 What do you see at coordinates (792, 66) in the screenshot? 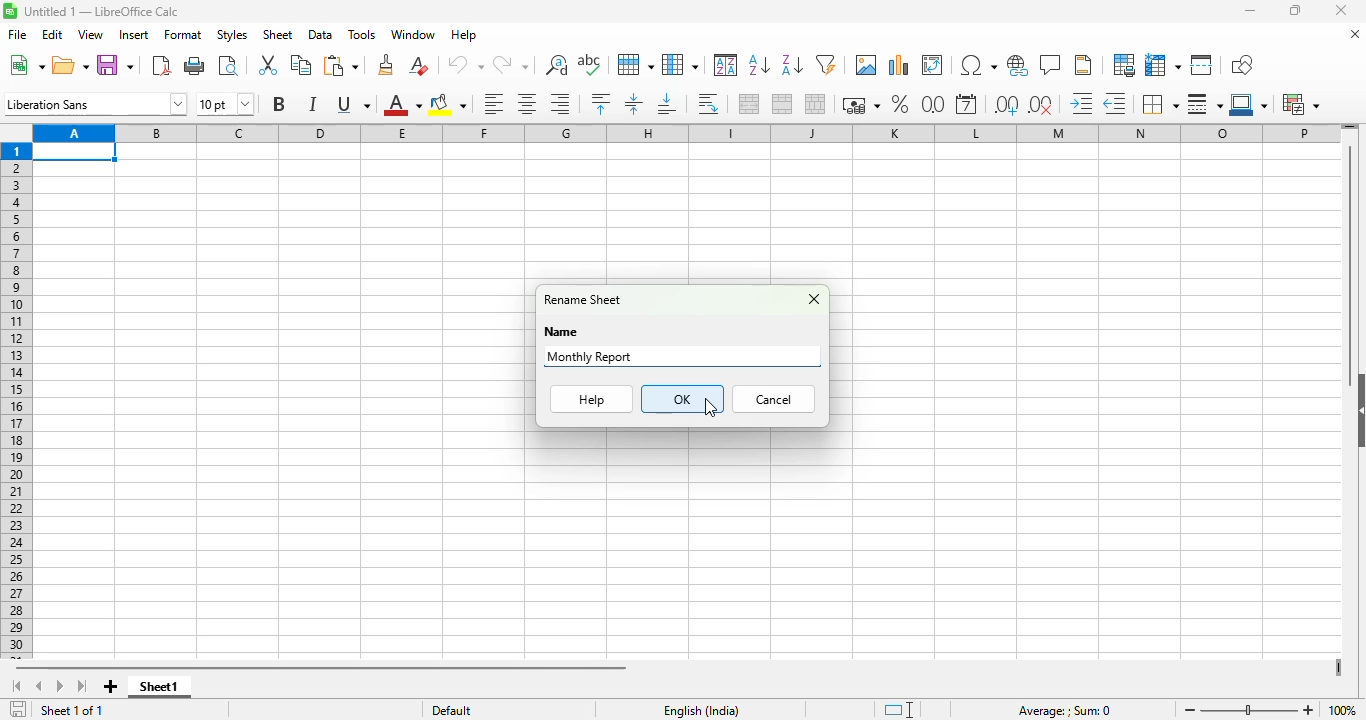
I see `sort descending` at bounding box center [792, 66].